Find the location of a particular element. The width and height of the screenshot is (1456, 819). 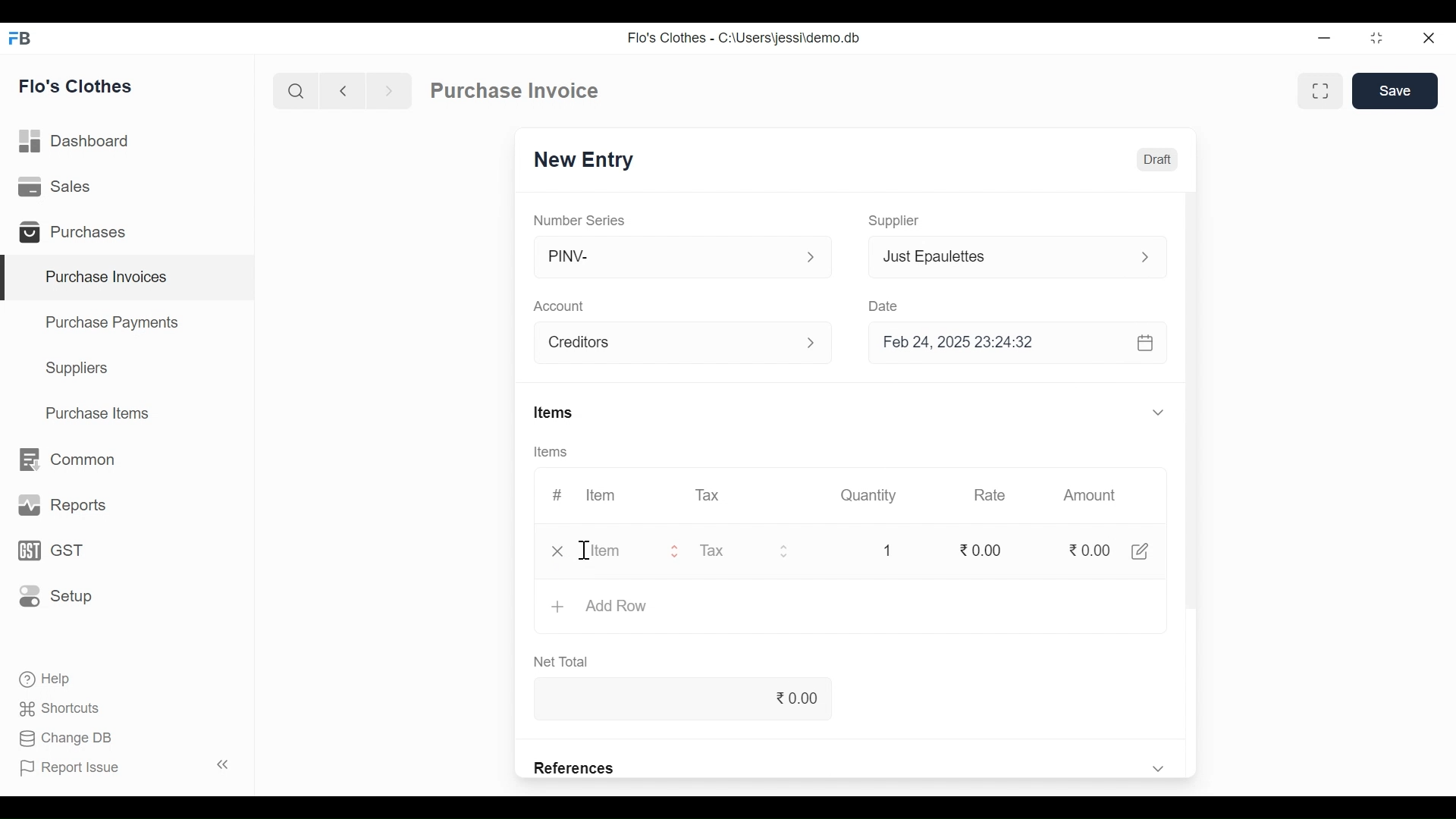

Add Row is located at coordinates (620, 607).